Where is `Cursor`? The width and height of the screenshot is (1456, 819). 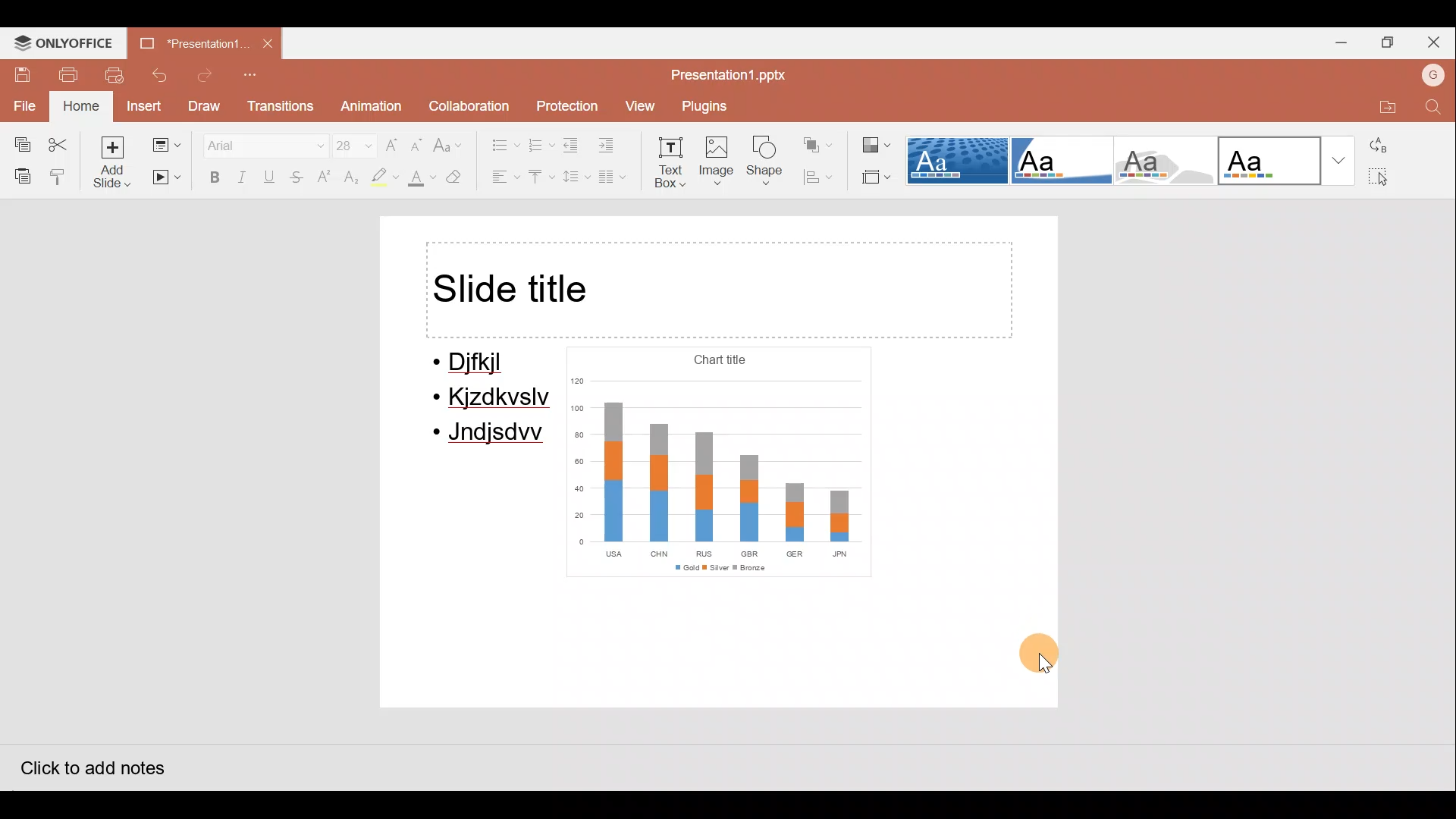 Cursor is located at coordinates (1048, 664).